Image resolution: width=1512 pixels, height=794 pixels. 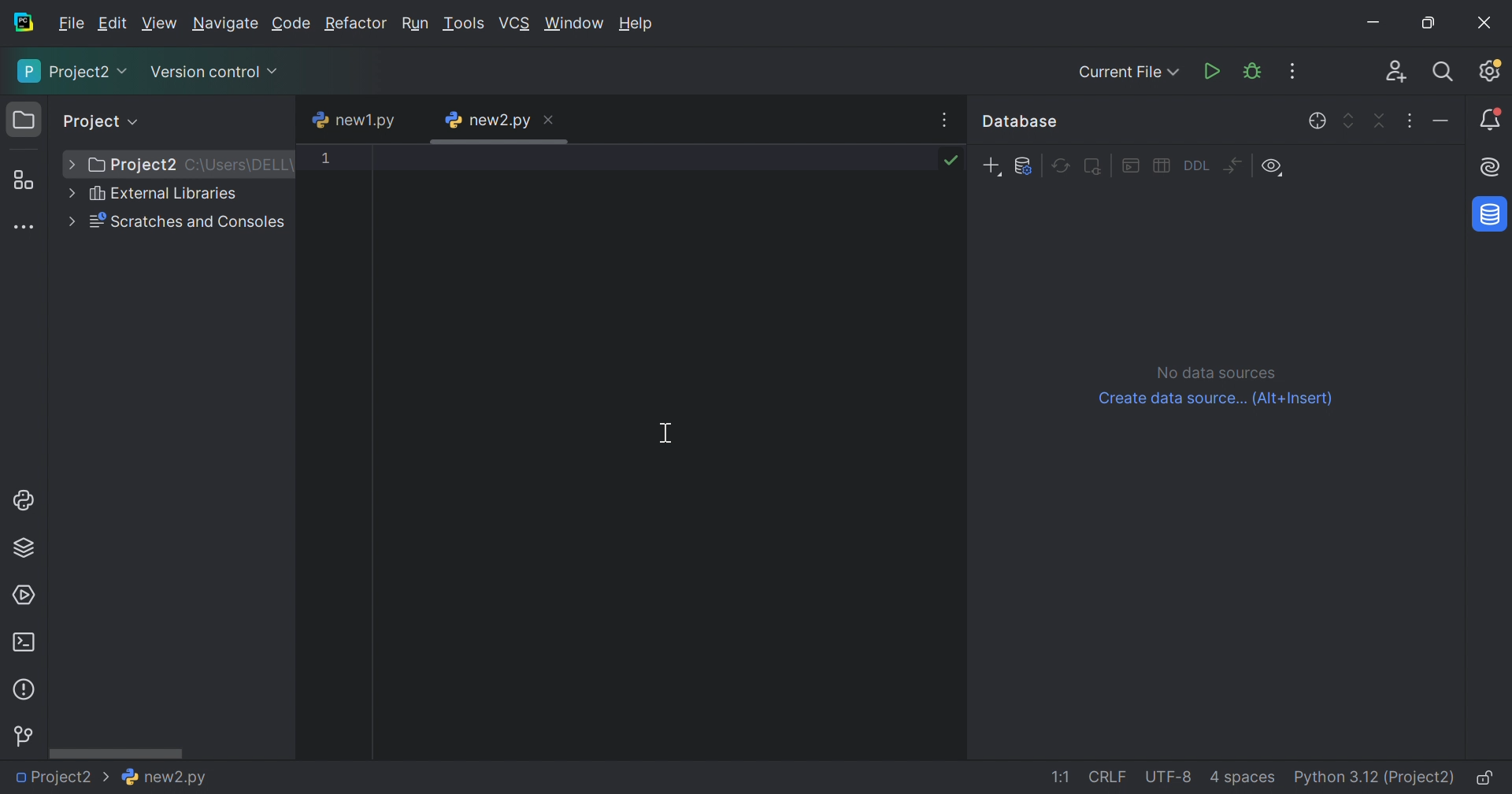 What do you see at coordinates (135, 163) in the screenshot?
I see `Project2` at bounding box center [135, 163].